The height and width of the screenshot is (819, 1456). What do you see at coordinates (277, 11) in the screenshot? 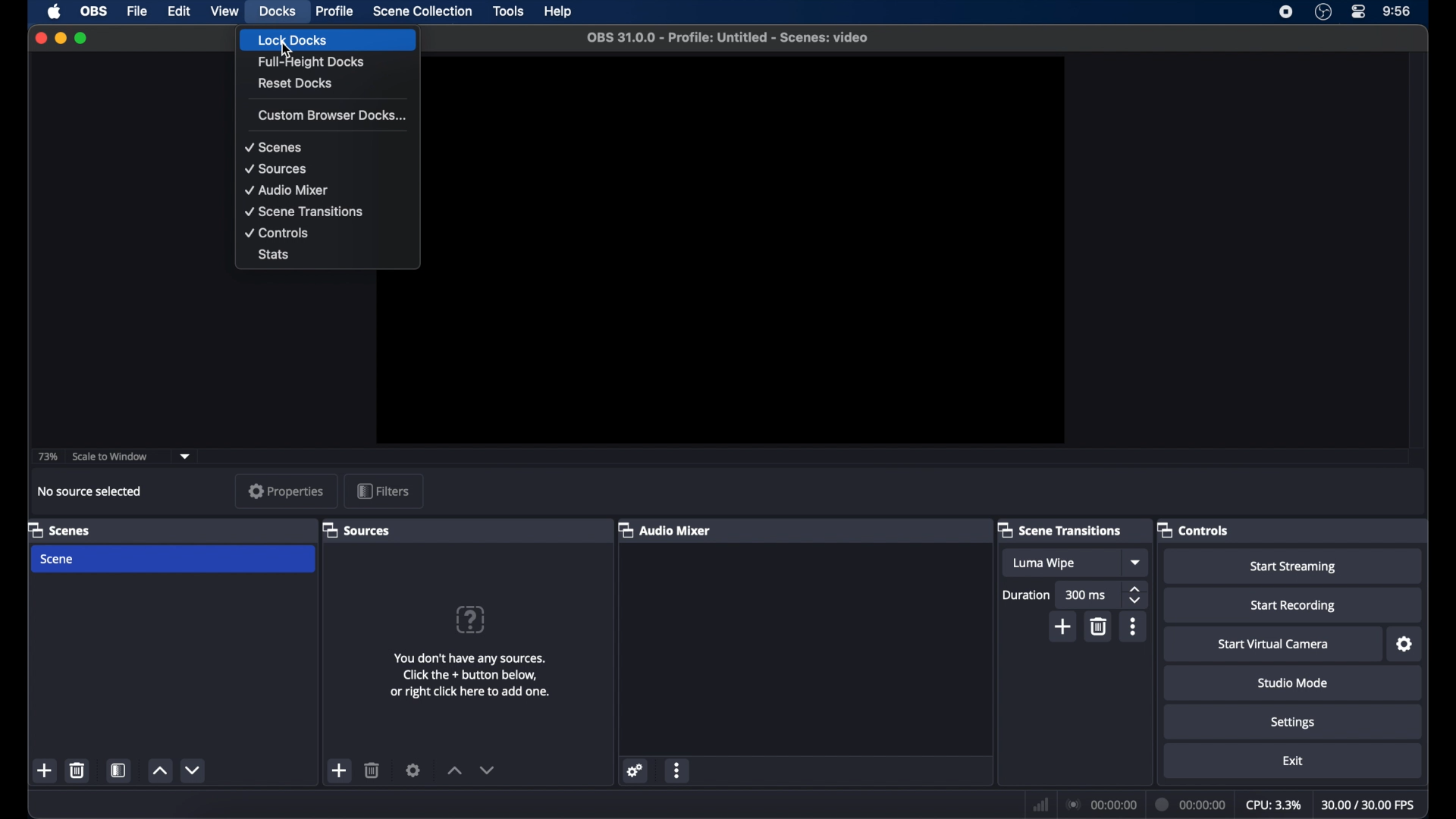
I see `docks` at bounding box center [277, 11].